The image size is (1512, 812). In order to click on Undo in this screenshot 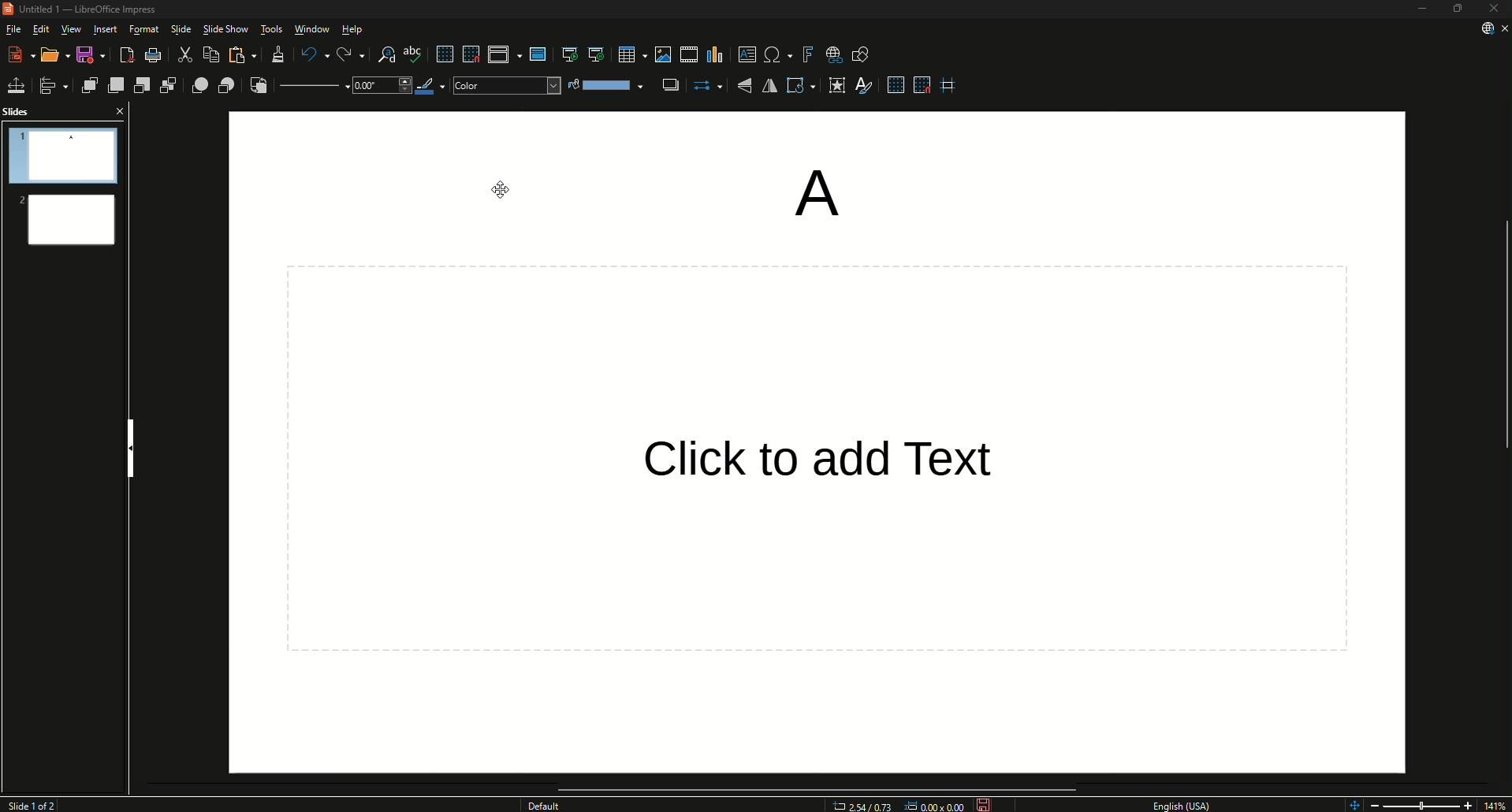, I will do `click(311, 54)`.